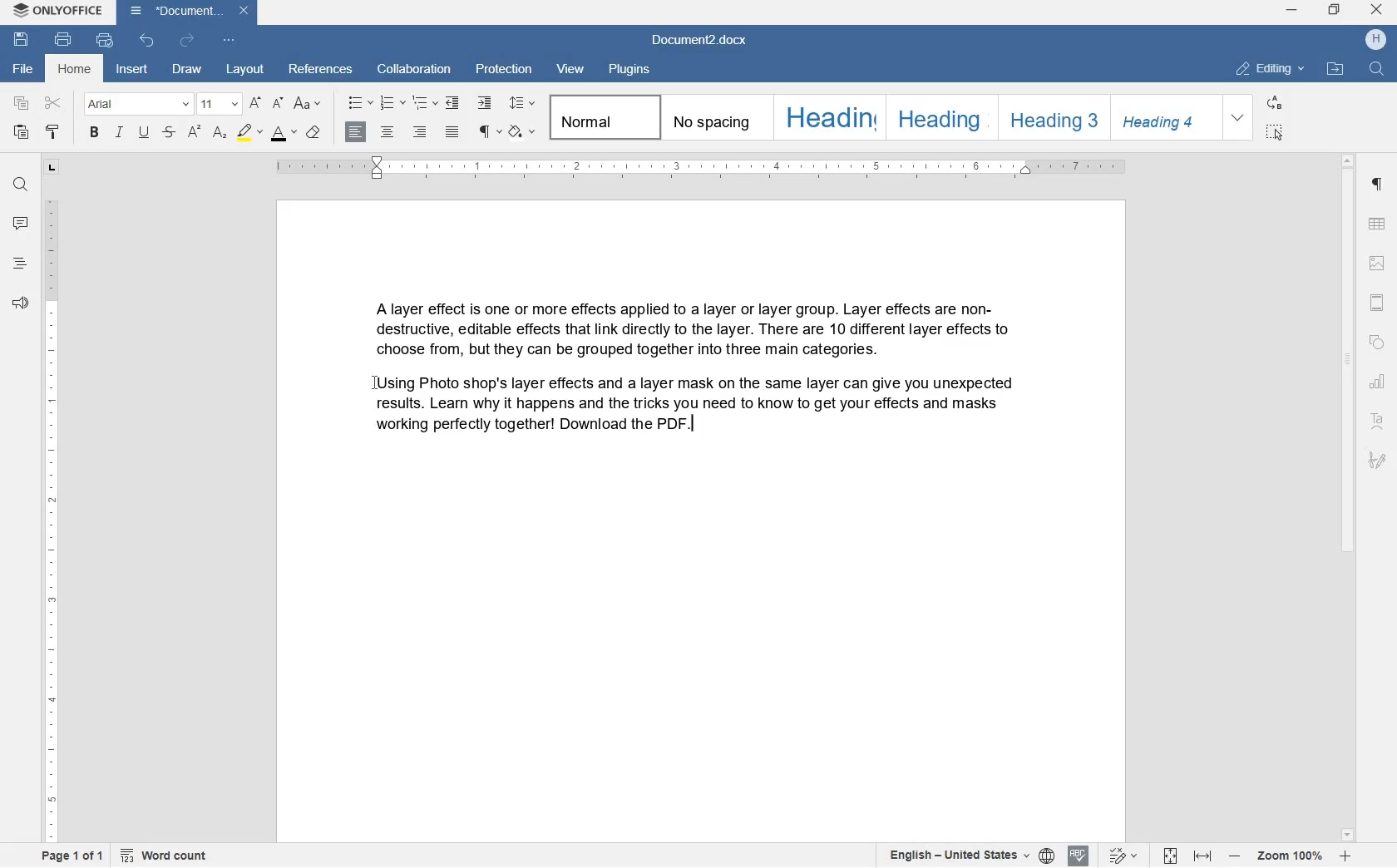 This screenshot has width=1397, height=868. What do you see at coordinates (452, 133) in the screenshot?
I see `JUSTIFIED` at bounding box center [452, 133].